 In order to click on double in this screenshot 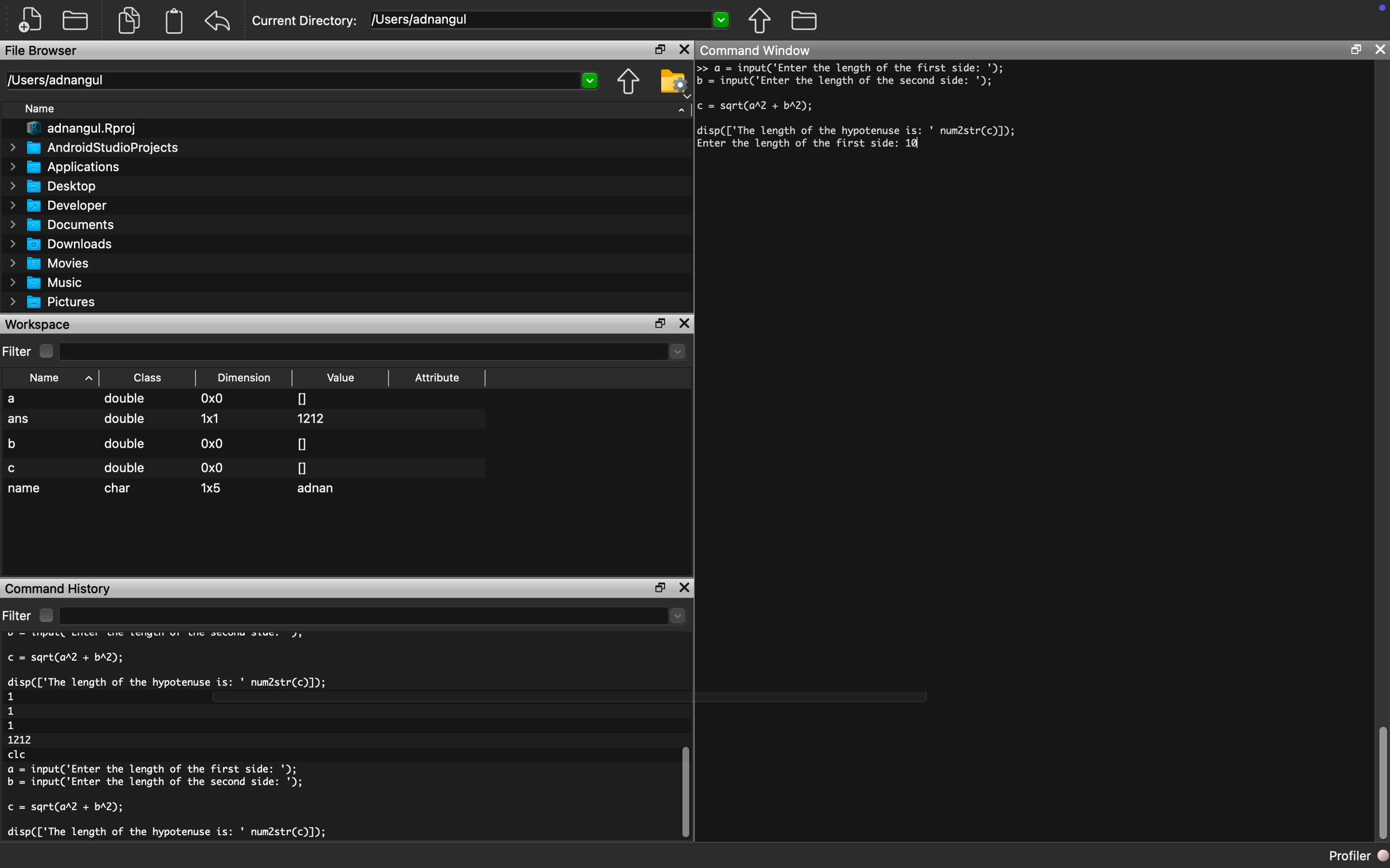, I will do `click(123, 423)`.